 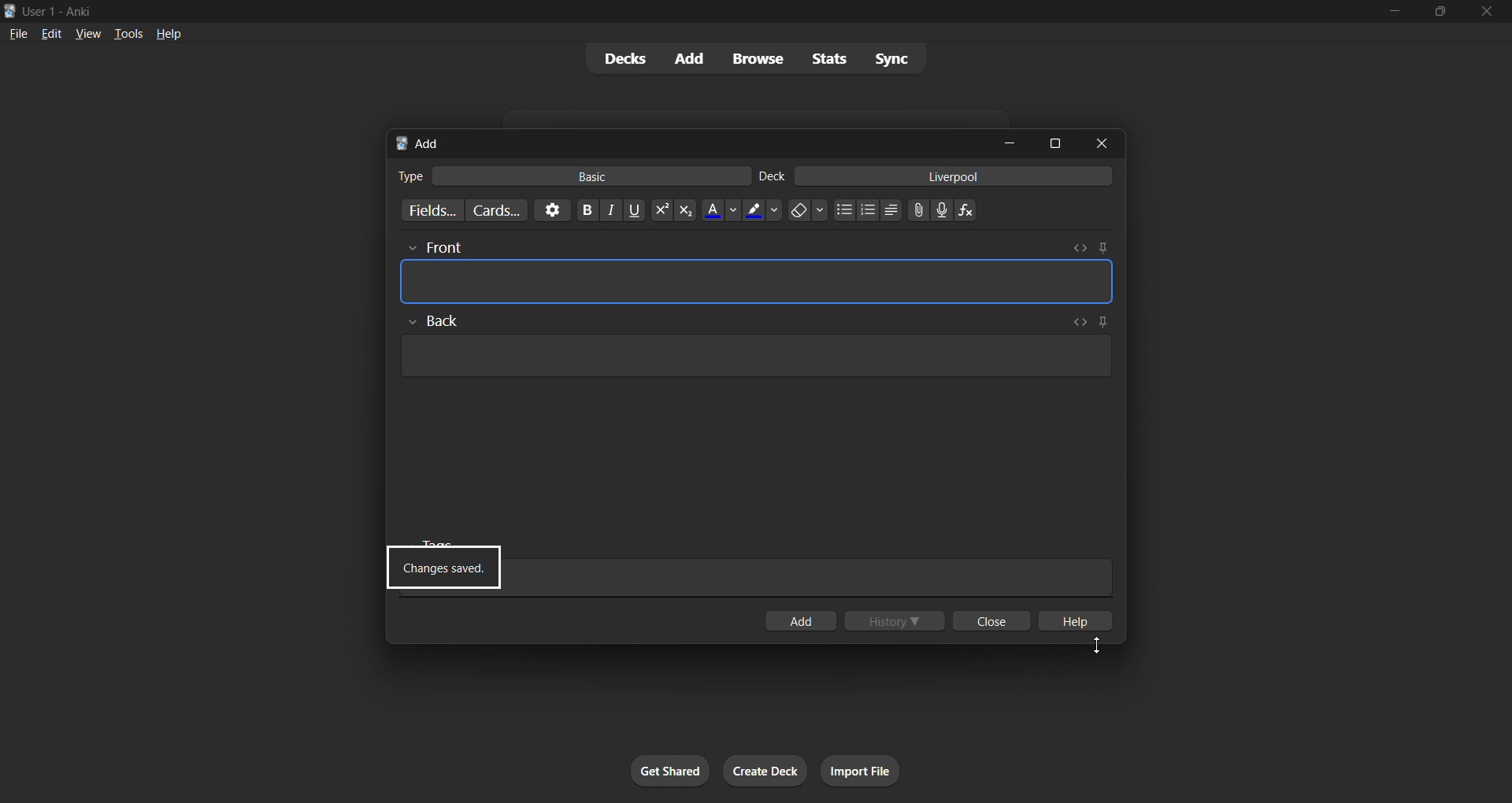 I want to click on microphone, so click(x=944, y=212).